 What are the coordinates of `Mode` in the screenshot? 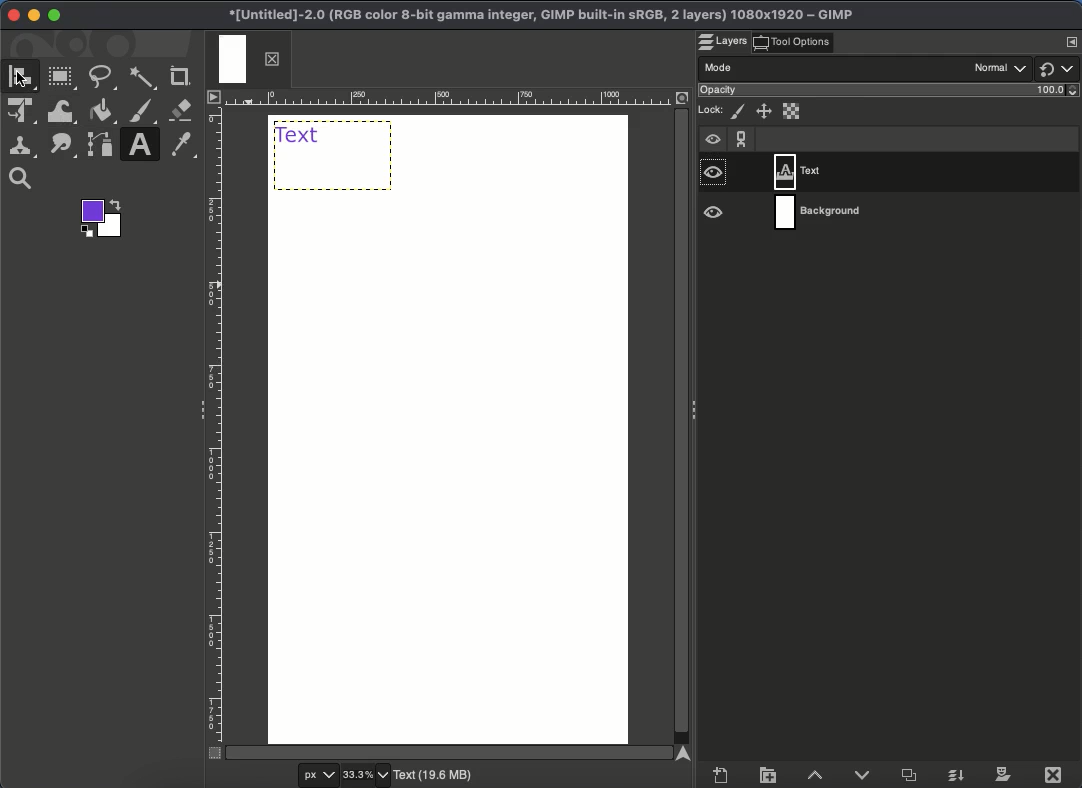 It's located at (834, 68).